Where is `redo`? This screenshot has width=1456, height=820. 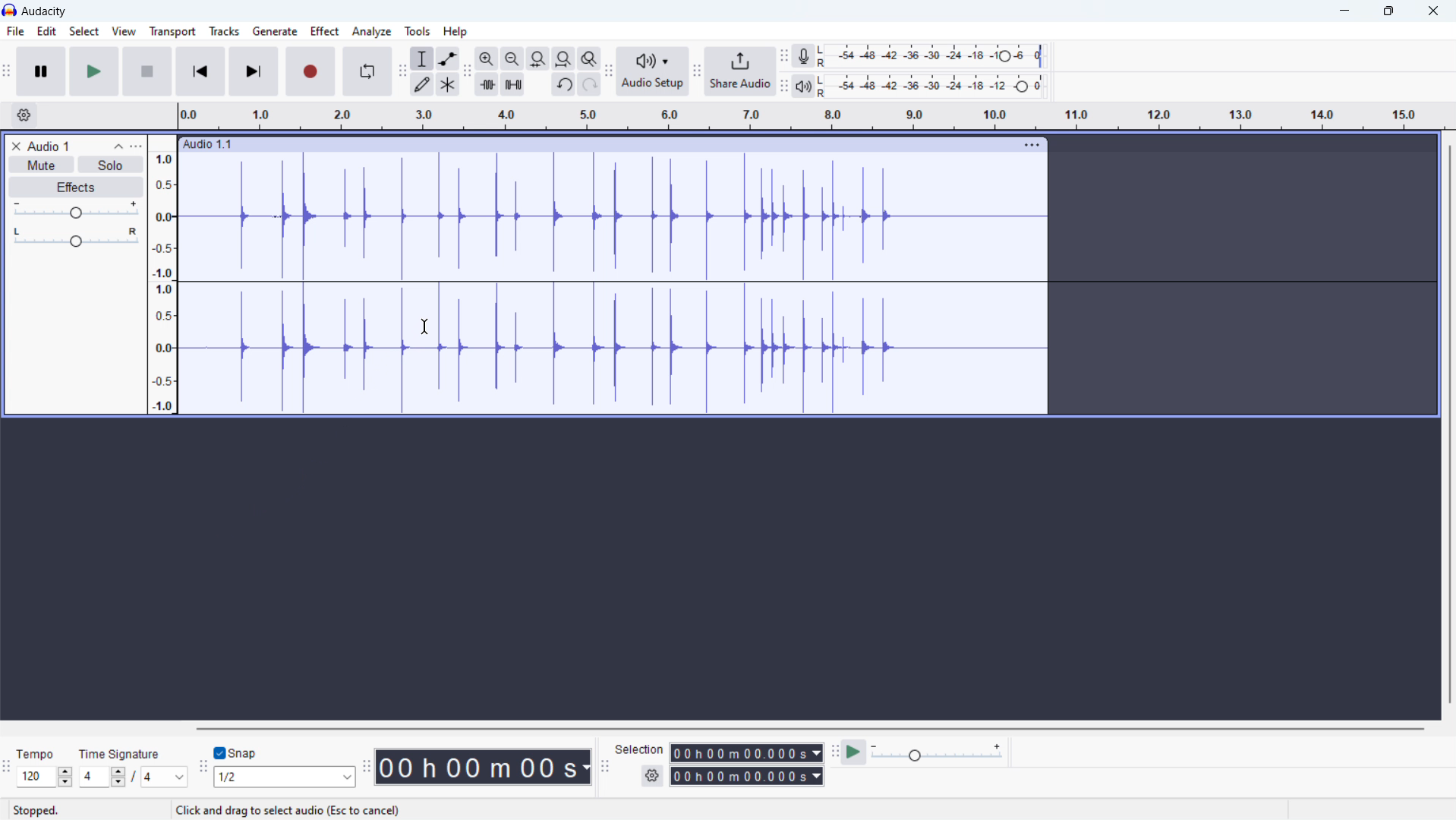 redo is located at coordinates (590, 84).